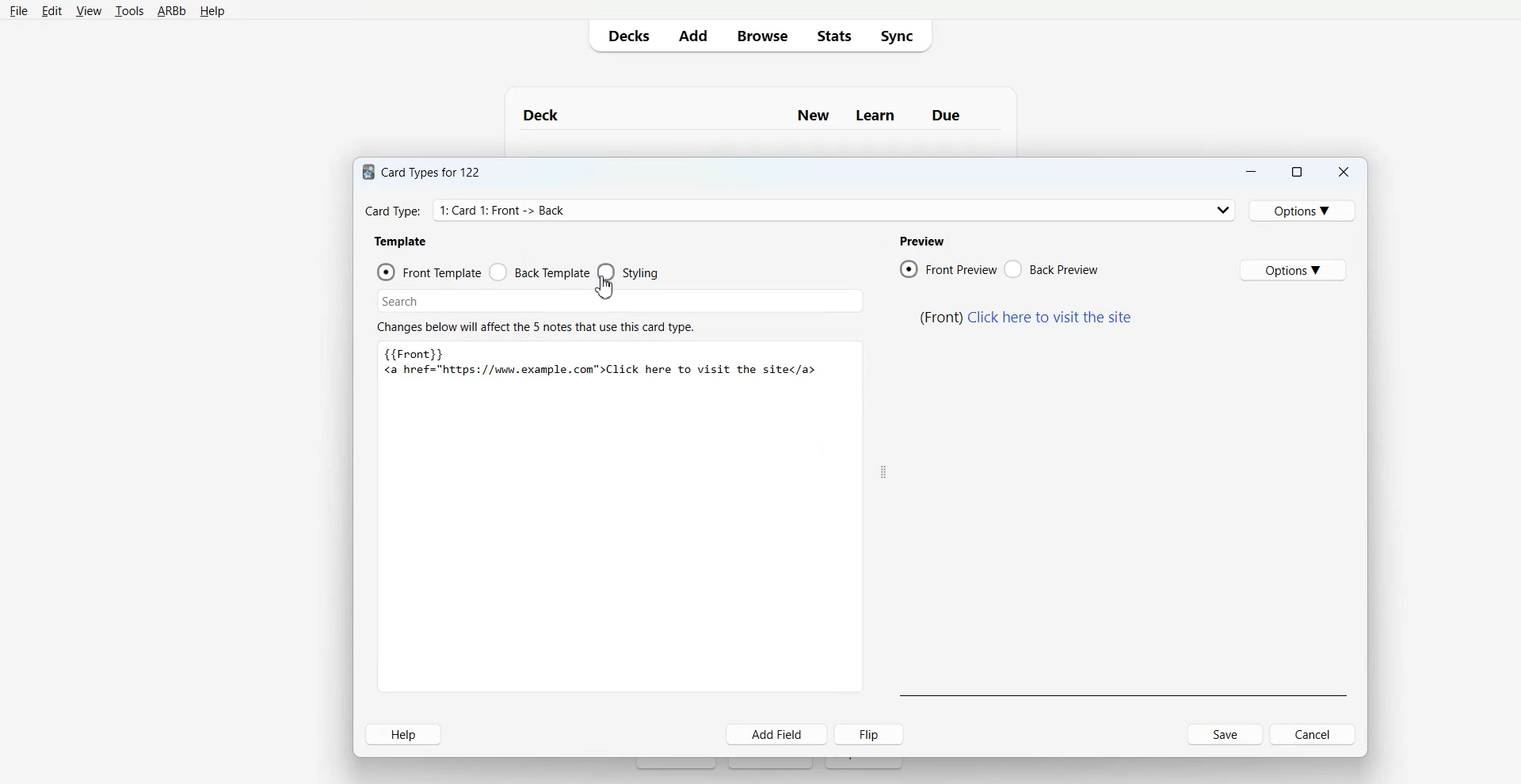 This screenshot has width=1521, height=784. What do you see at coordinates (1294, 270) in the screenshot?
I see `Options` at bounding box center [1294, 270].